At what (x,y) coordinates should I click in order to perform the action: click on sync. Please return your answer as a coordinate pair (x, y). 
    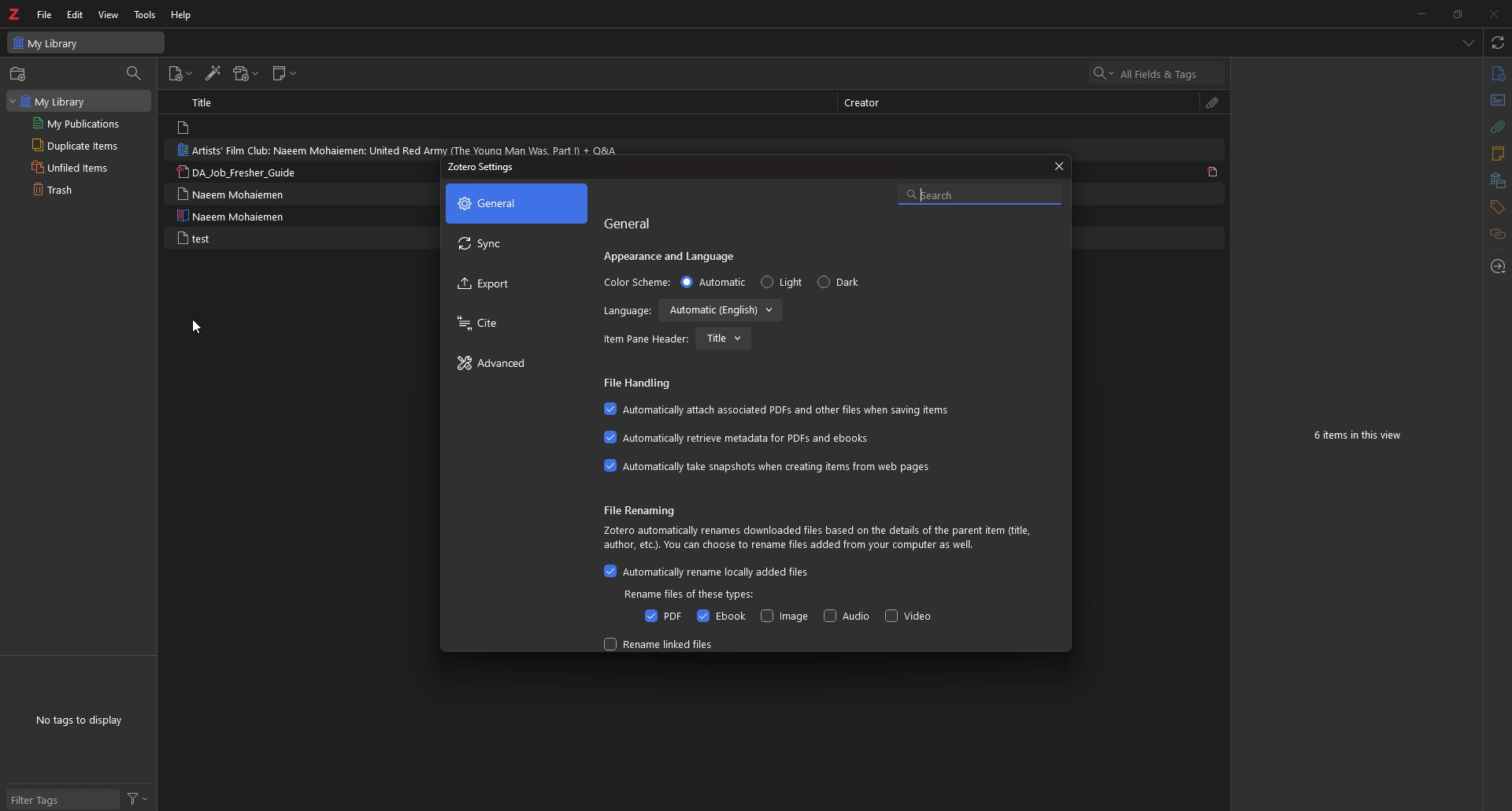
    Looking at the image, I should click on (513, 245).